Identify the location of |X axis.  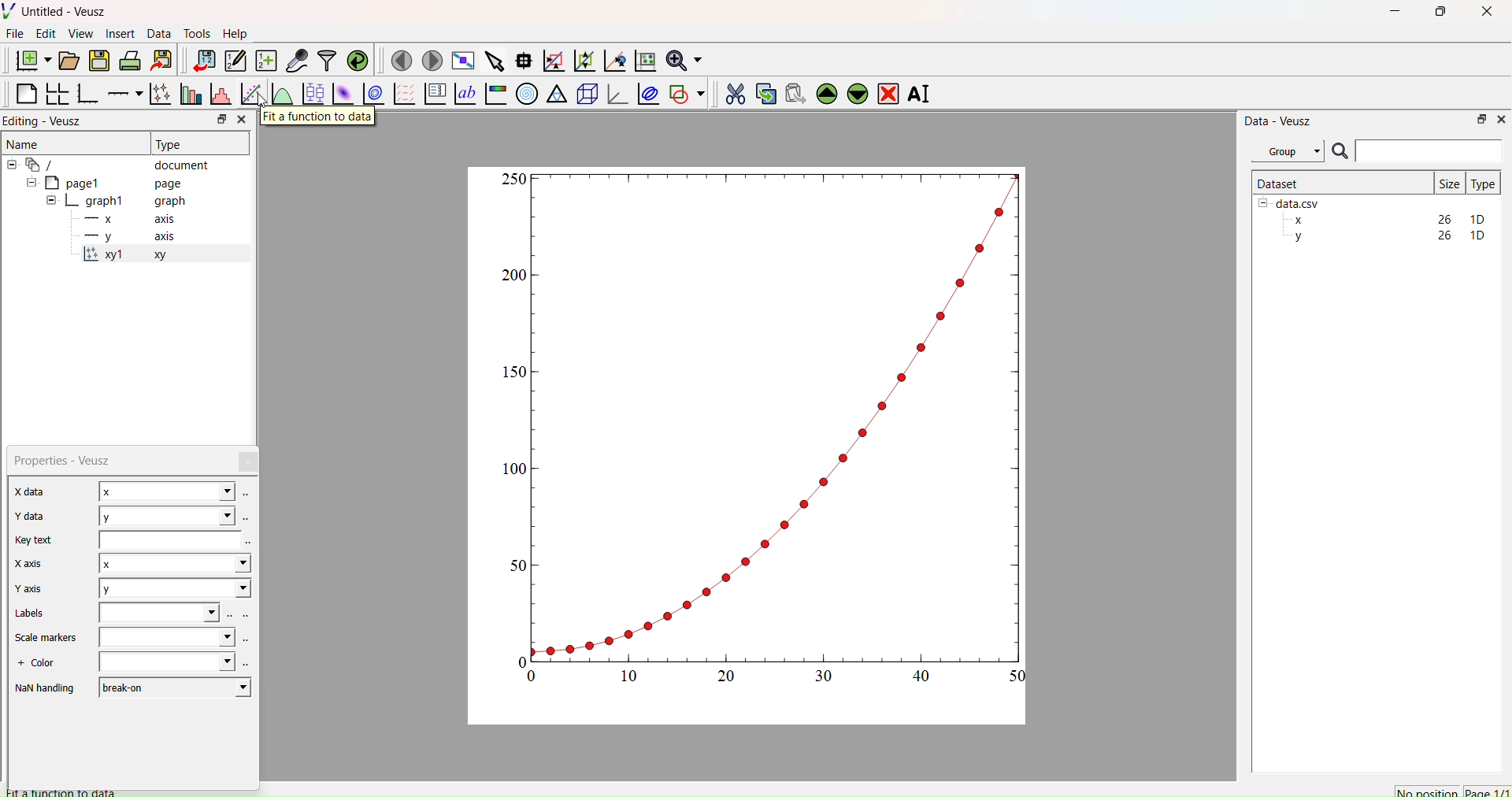
(26, 564).